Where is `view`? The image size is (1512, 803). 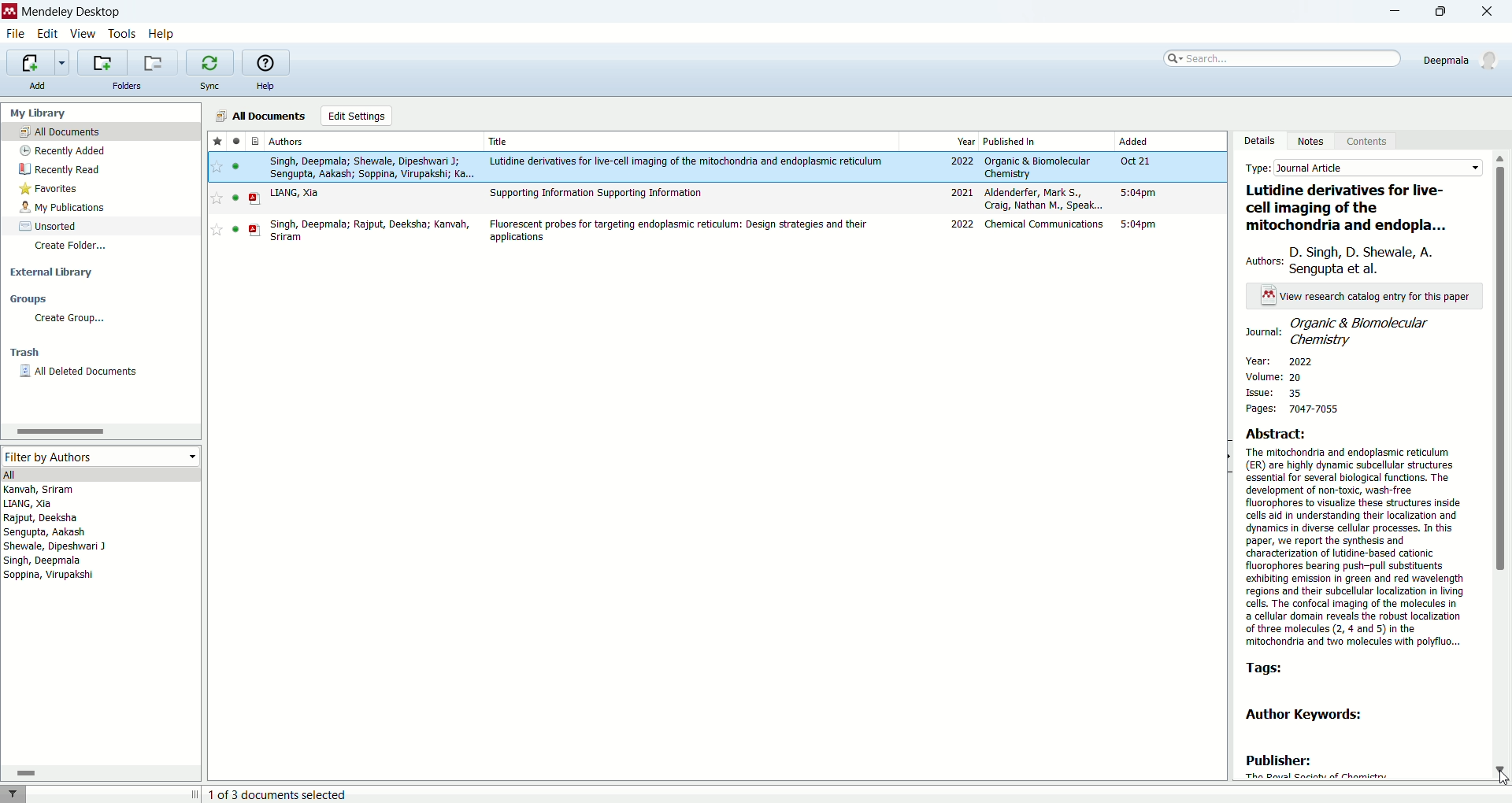
view is located at coordinates (81, 34).